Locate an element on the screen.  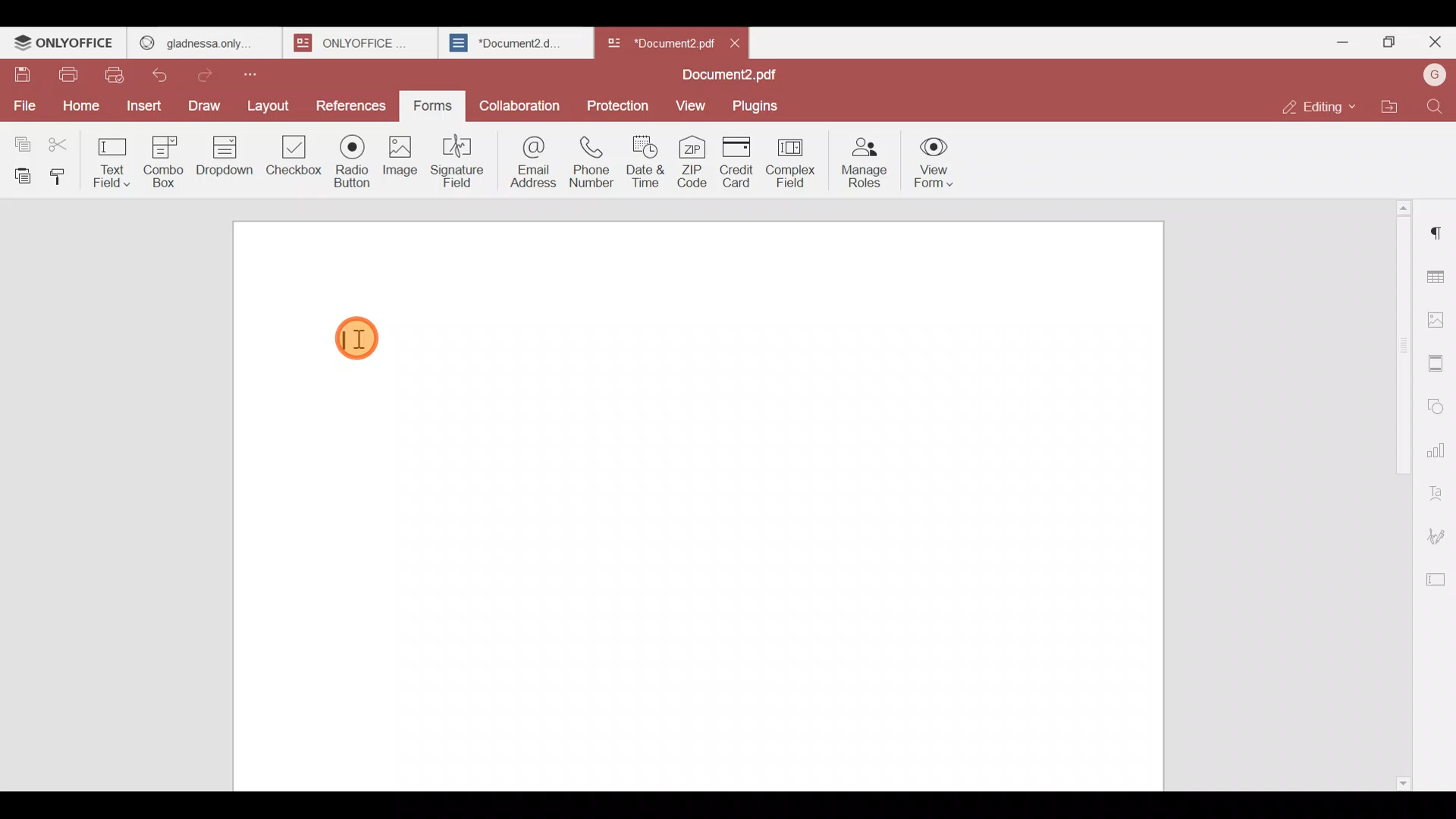
Close is located at coordinates (1434, 45).